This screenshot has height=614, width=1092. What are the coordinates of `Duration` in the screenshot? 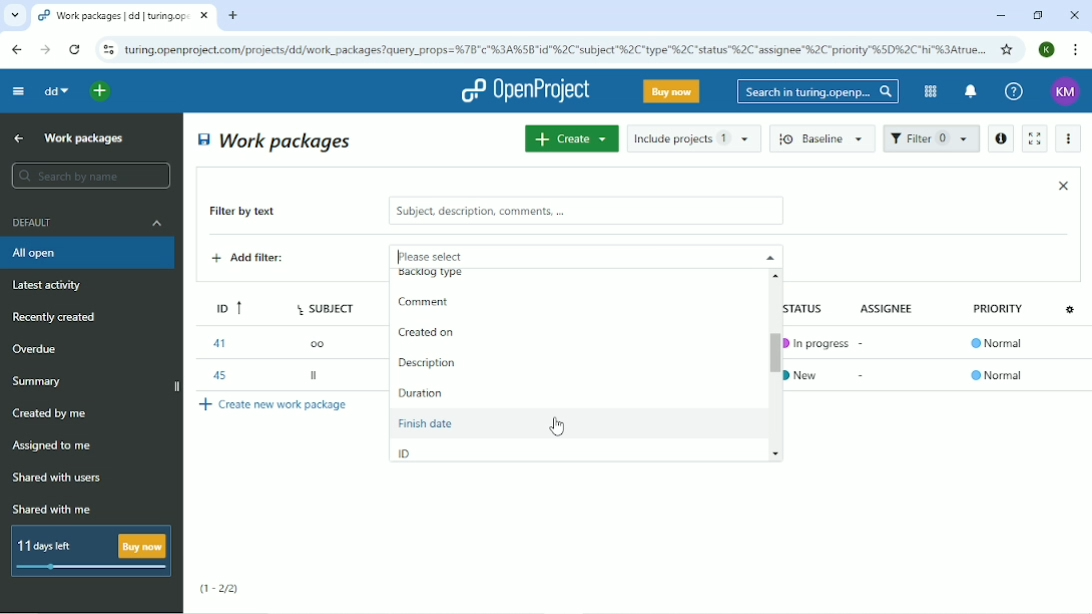 It's located at (423, 392).